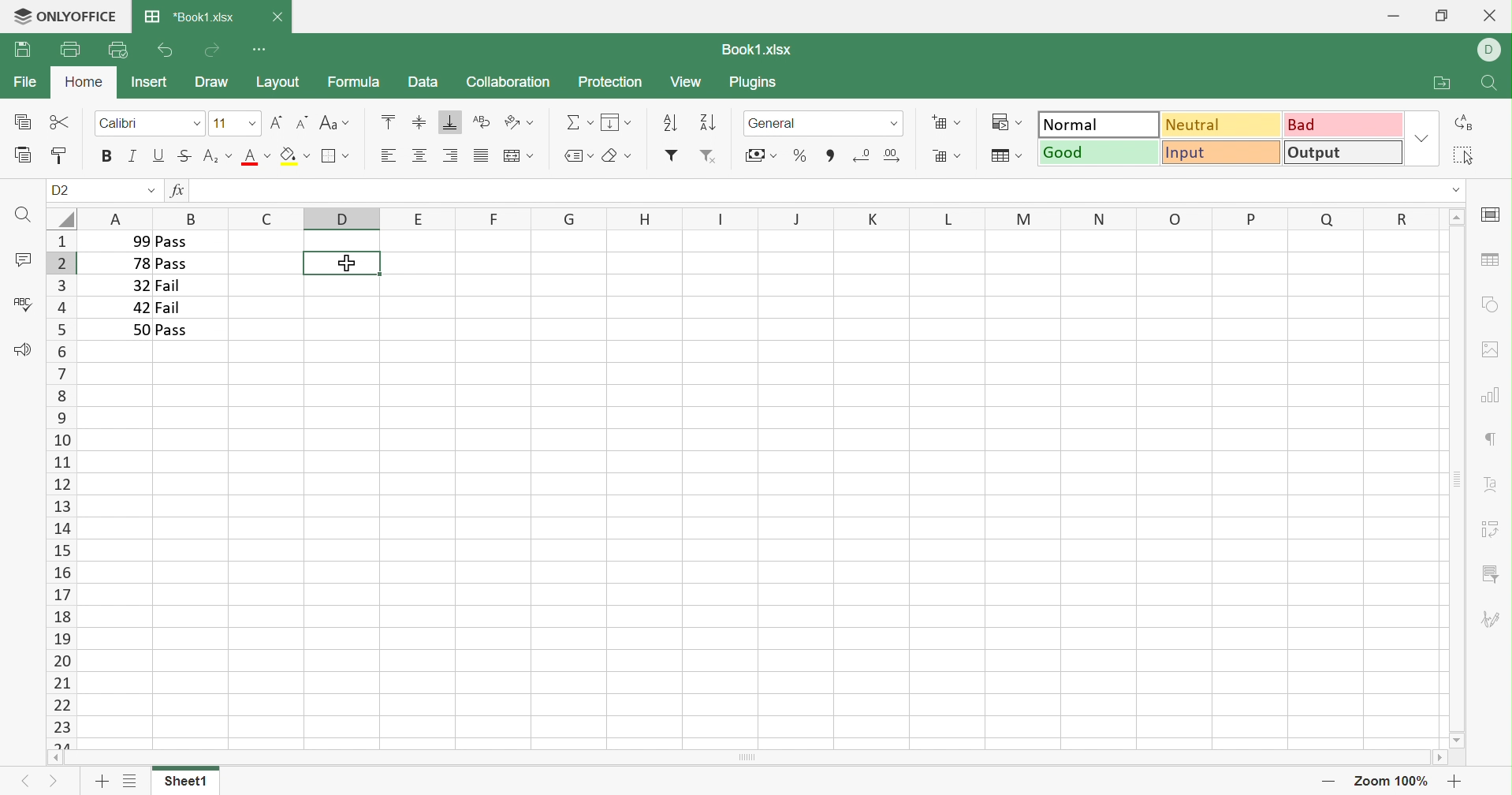 This screenshot has height=795, width=1512. I want to click on Find, so click(20, 215).